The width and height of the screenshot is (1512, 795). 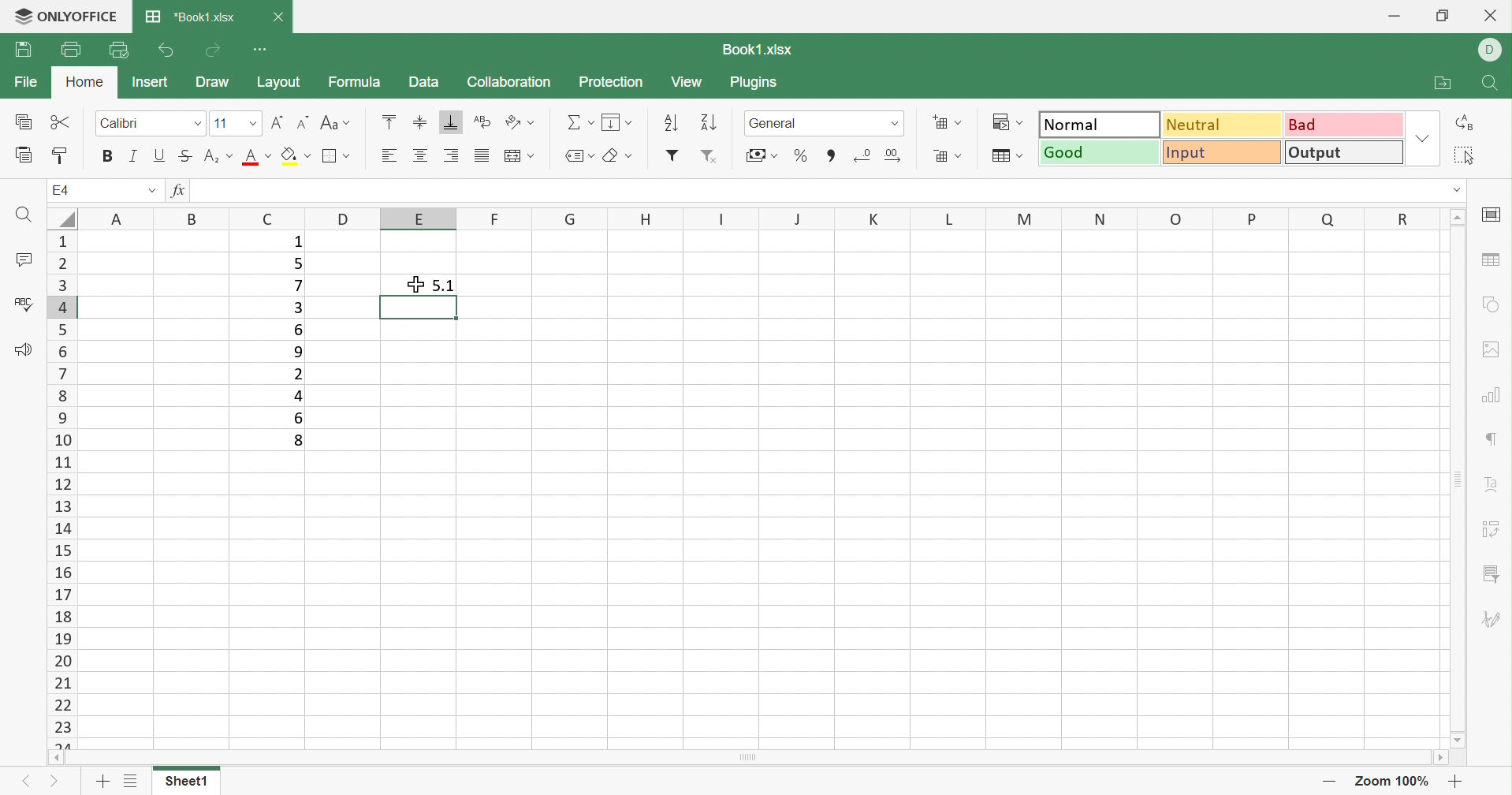 What do you see at coordinates (1458, 784) in the screenshot?
I see `Zoom In` at bounding box center [1458, 784].